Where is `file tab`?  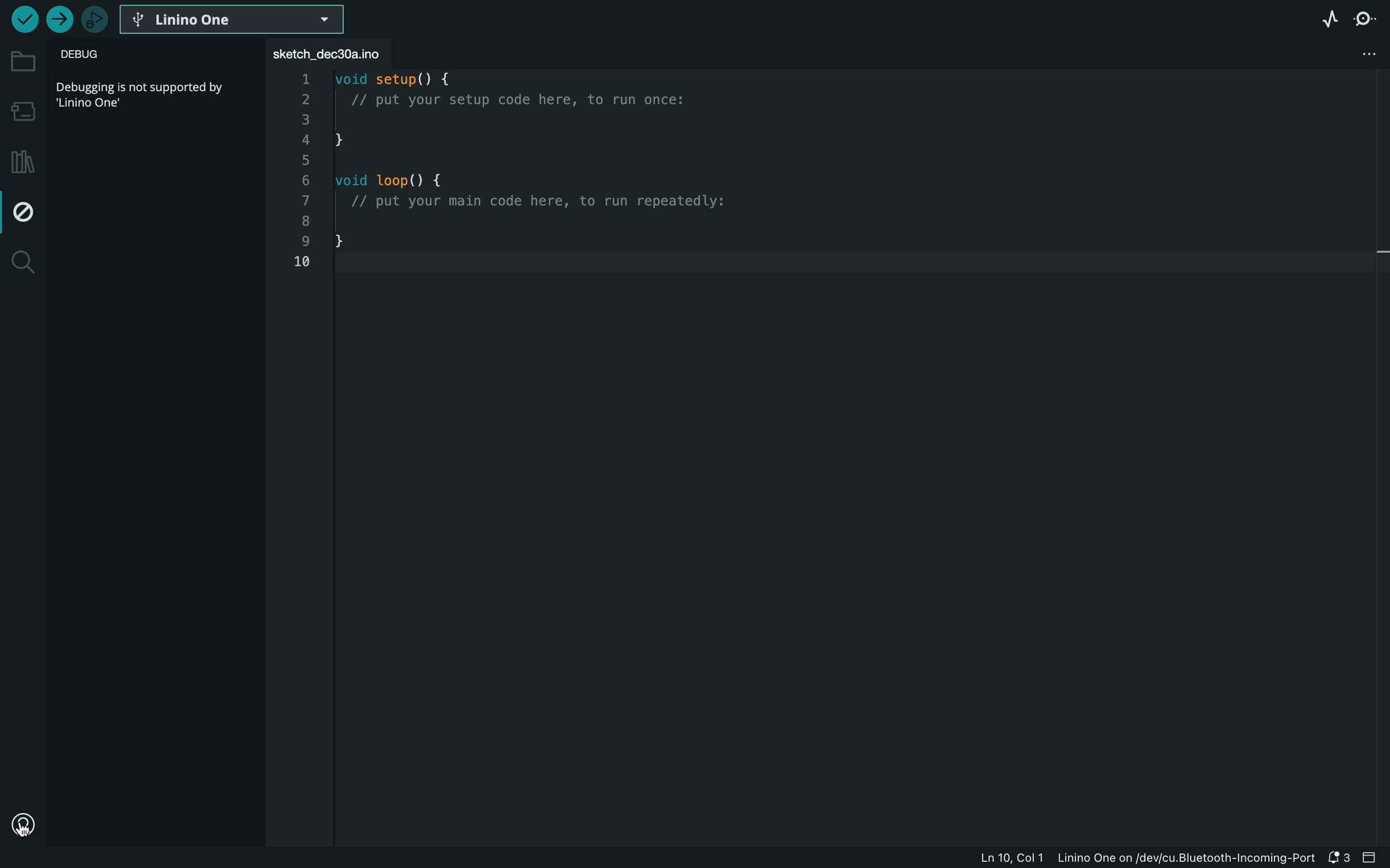 file tab is located at coordinates (330, 52).